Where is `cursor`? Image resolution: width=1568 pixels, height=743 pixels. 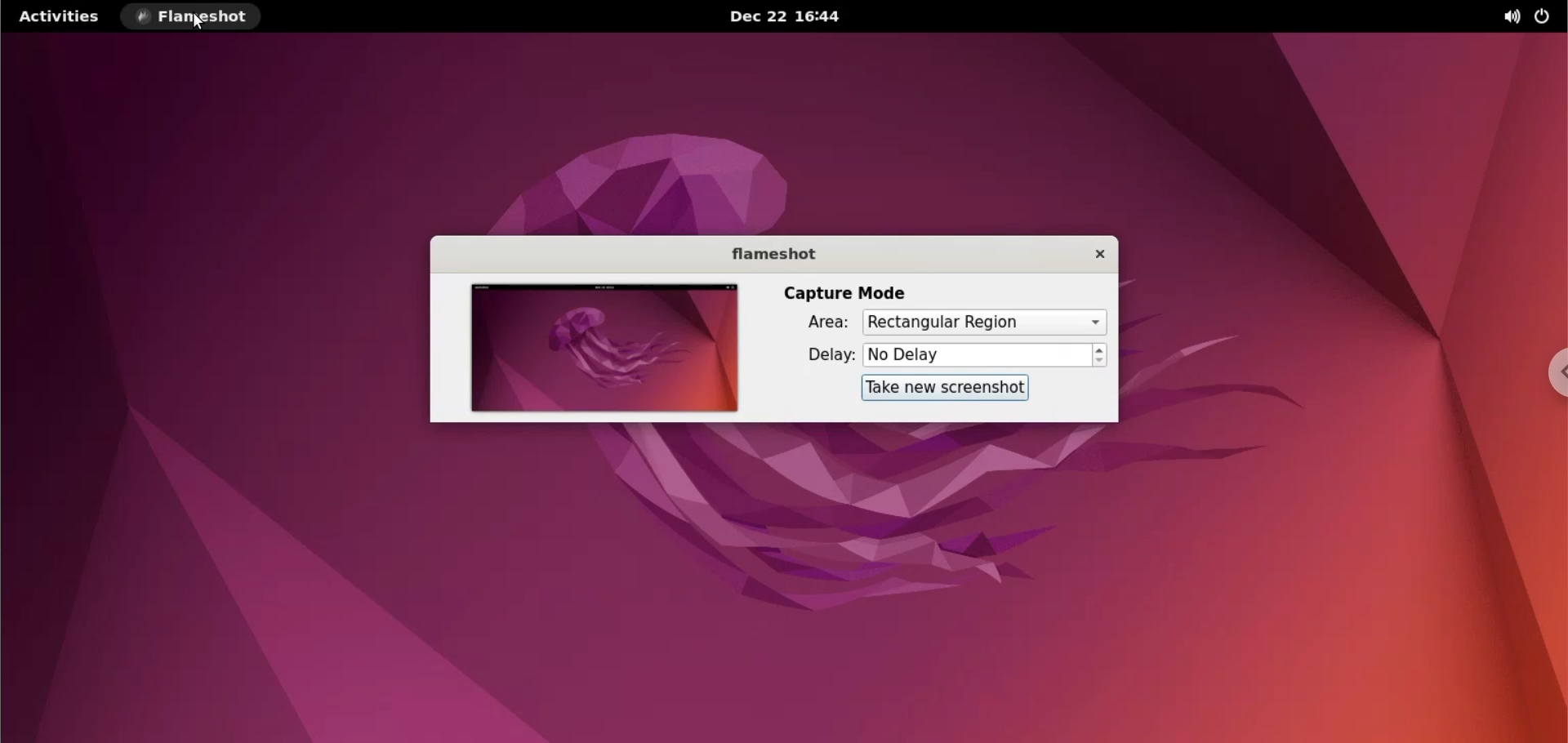
cursor is located at coordinates (202, 25).